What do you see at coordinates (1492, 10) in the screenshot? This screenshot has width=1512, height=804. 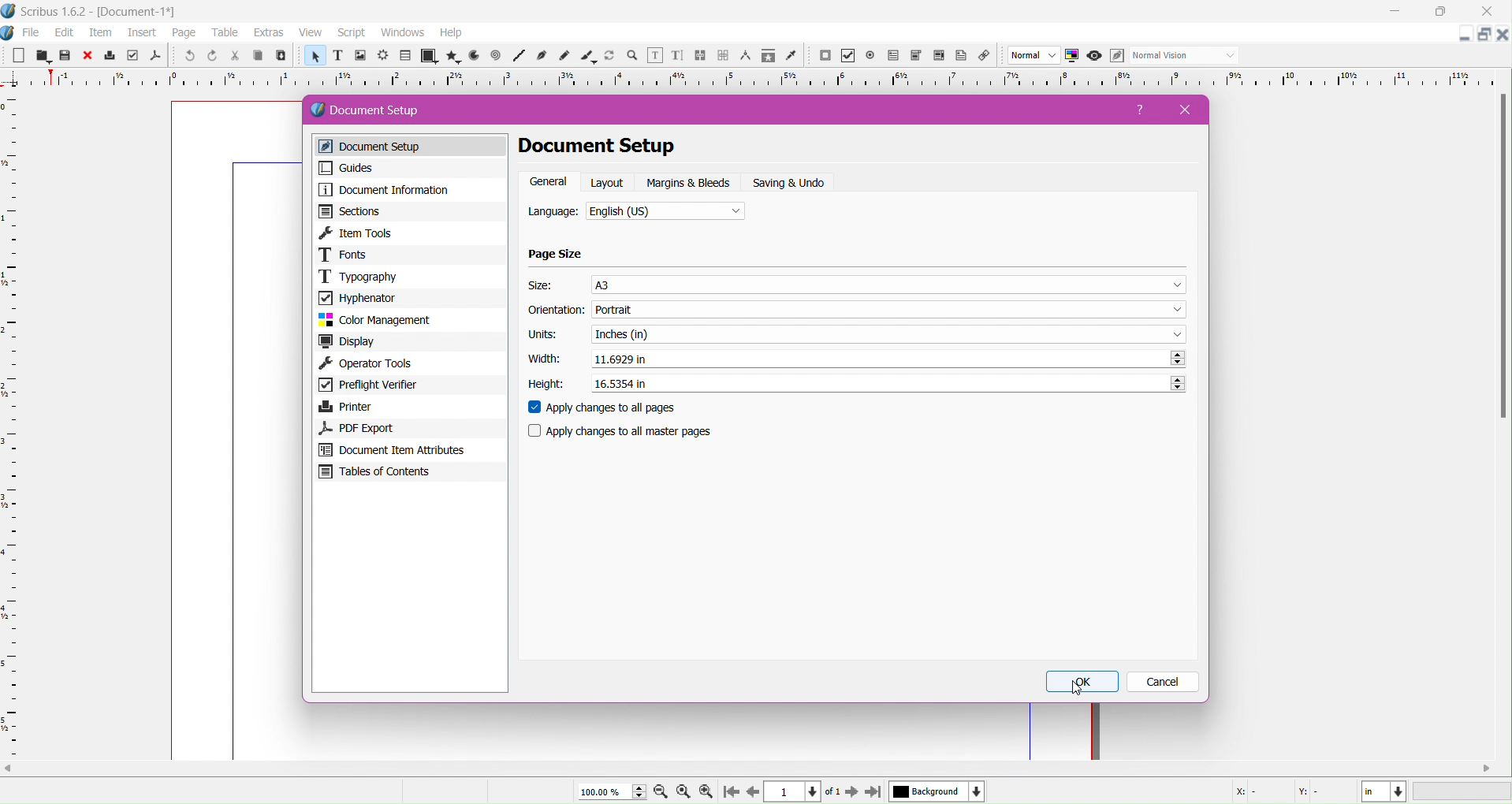 I see `close app` at bounding box center [1492, 10].